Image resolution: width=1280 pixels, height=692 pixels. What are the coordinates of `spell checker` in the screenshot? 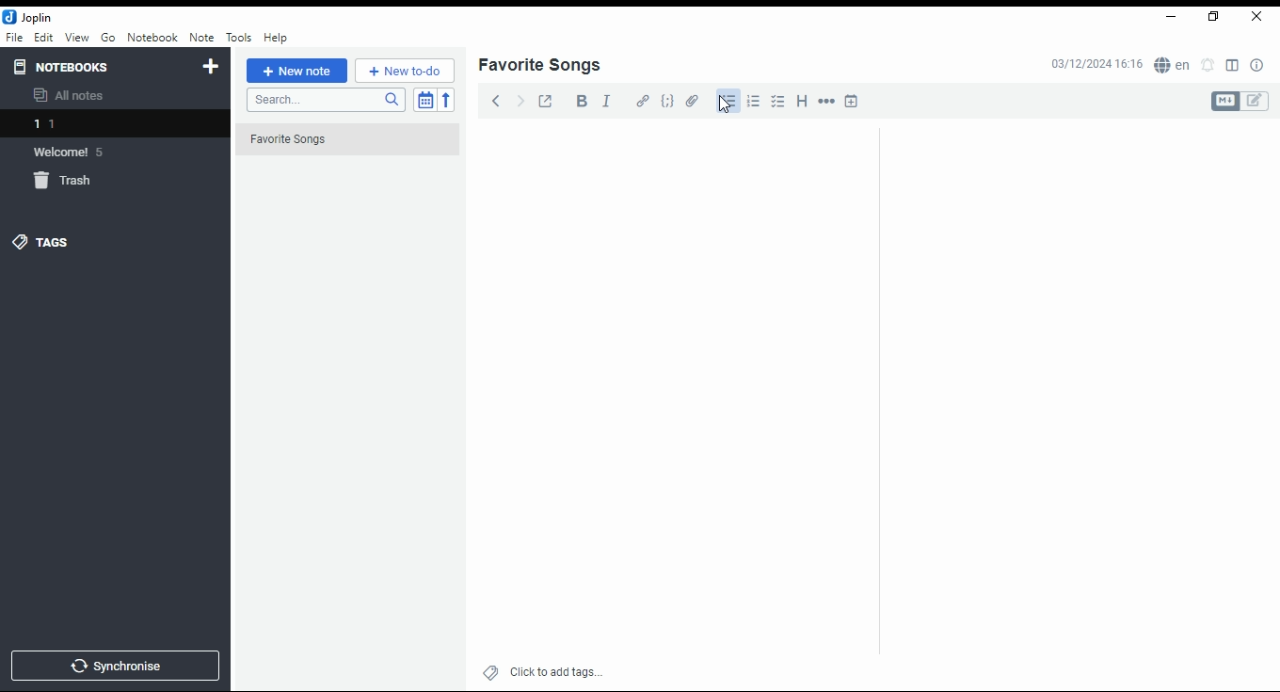 It's located at (1174, 64).